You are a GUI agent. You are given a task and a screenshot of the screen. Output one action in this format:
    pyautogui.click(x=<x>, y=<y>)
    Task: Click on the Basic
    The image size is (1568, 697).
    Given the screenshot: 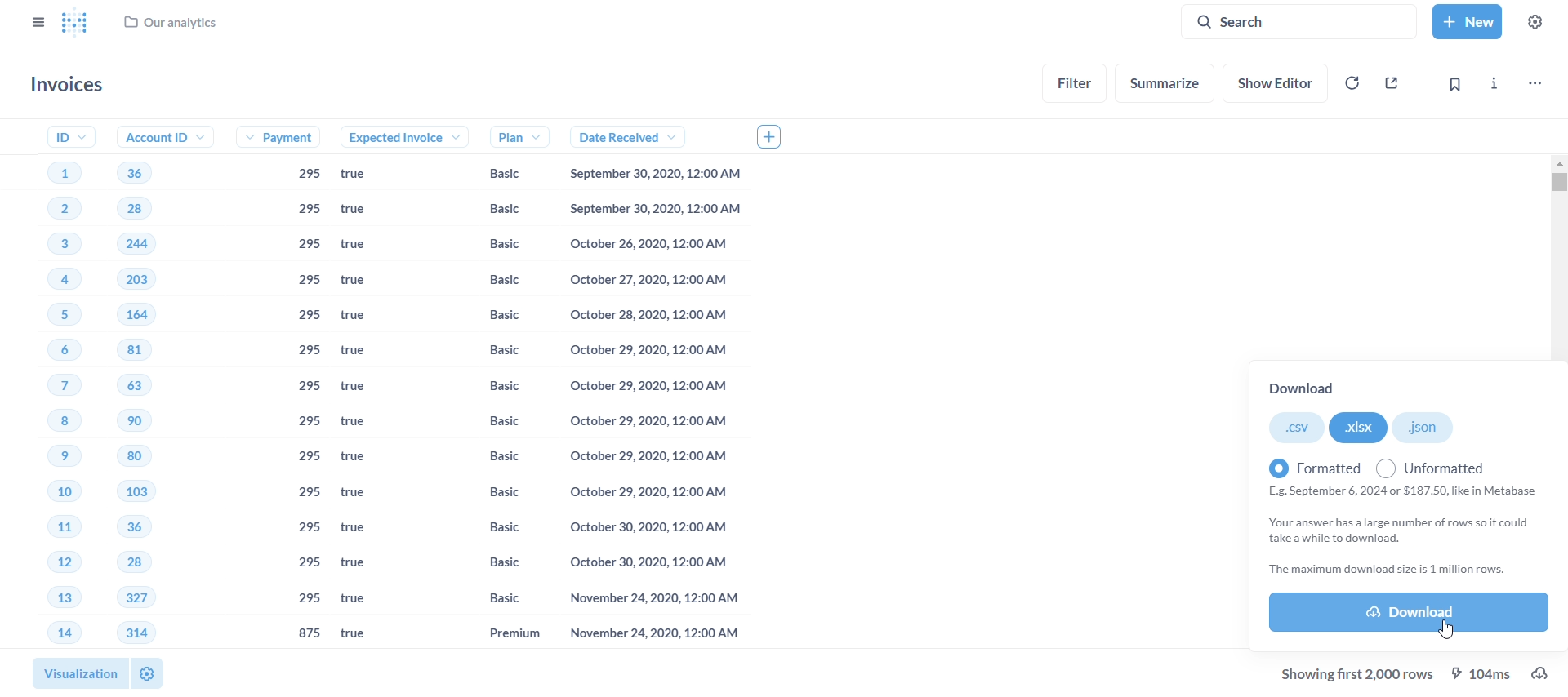 What is the action you would take?
    pyautogui.click(x=494, y=566)
    